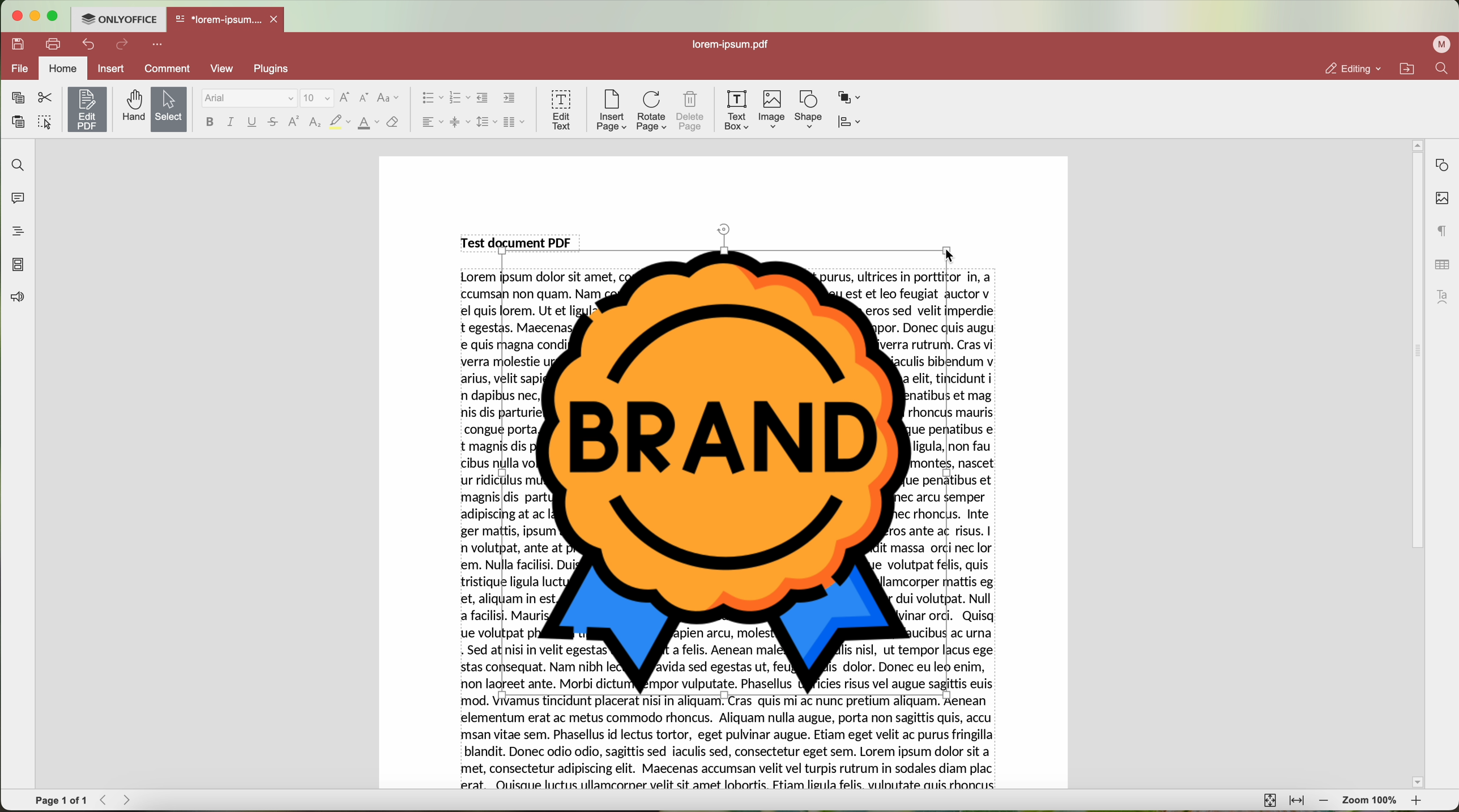 The height and width of the screenshot is (812, 1459). Describe the element at coordinates (45, 123) in the screenshot. I see `select all` at that location.